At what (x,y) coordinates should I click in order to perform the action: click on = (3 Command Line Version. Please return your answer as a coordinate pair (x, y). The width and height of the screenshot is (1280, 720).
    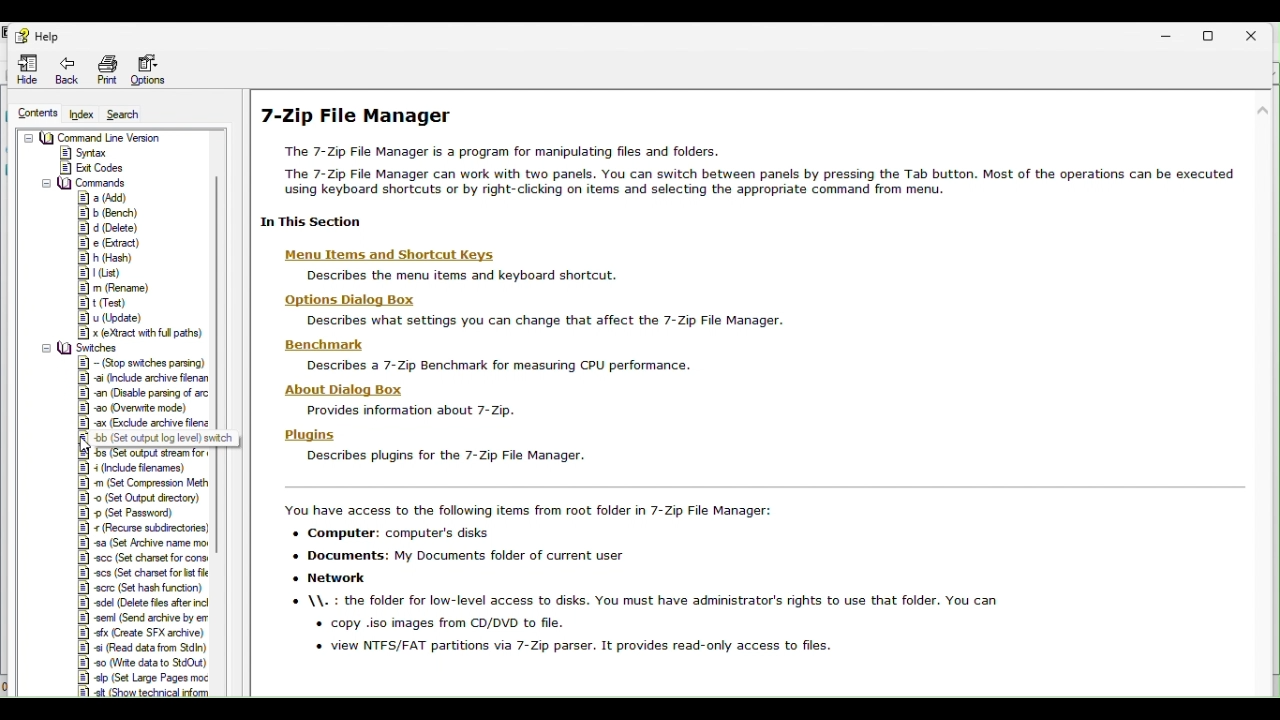
    Looking at the image, I should click on (94, 137).